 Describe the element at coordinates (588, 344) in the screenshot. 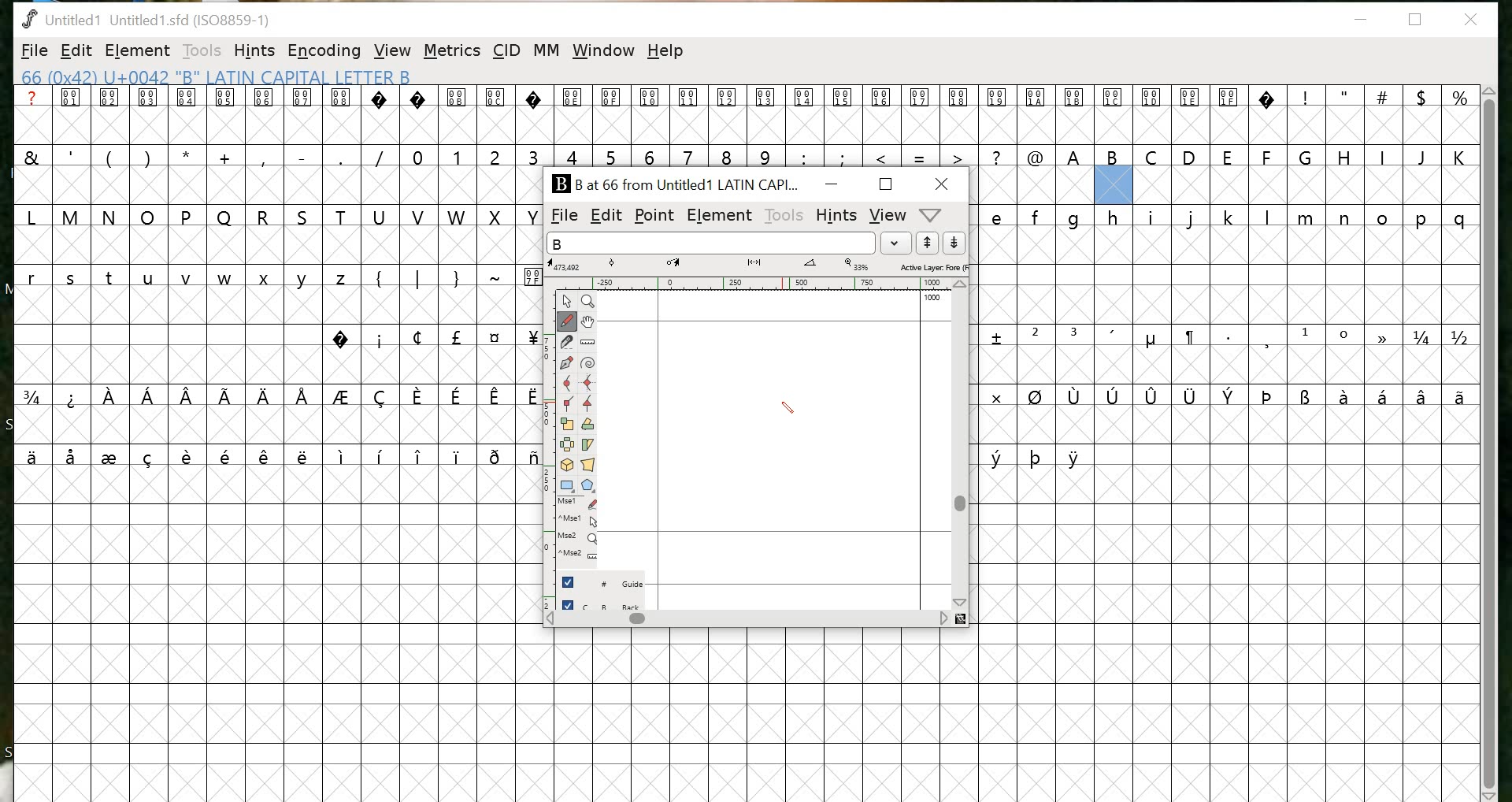

I see `Ruler` at that location.